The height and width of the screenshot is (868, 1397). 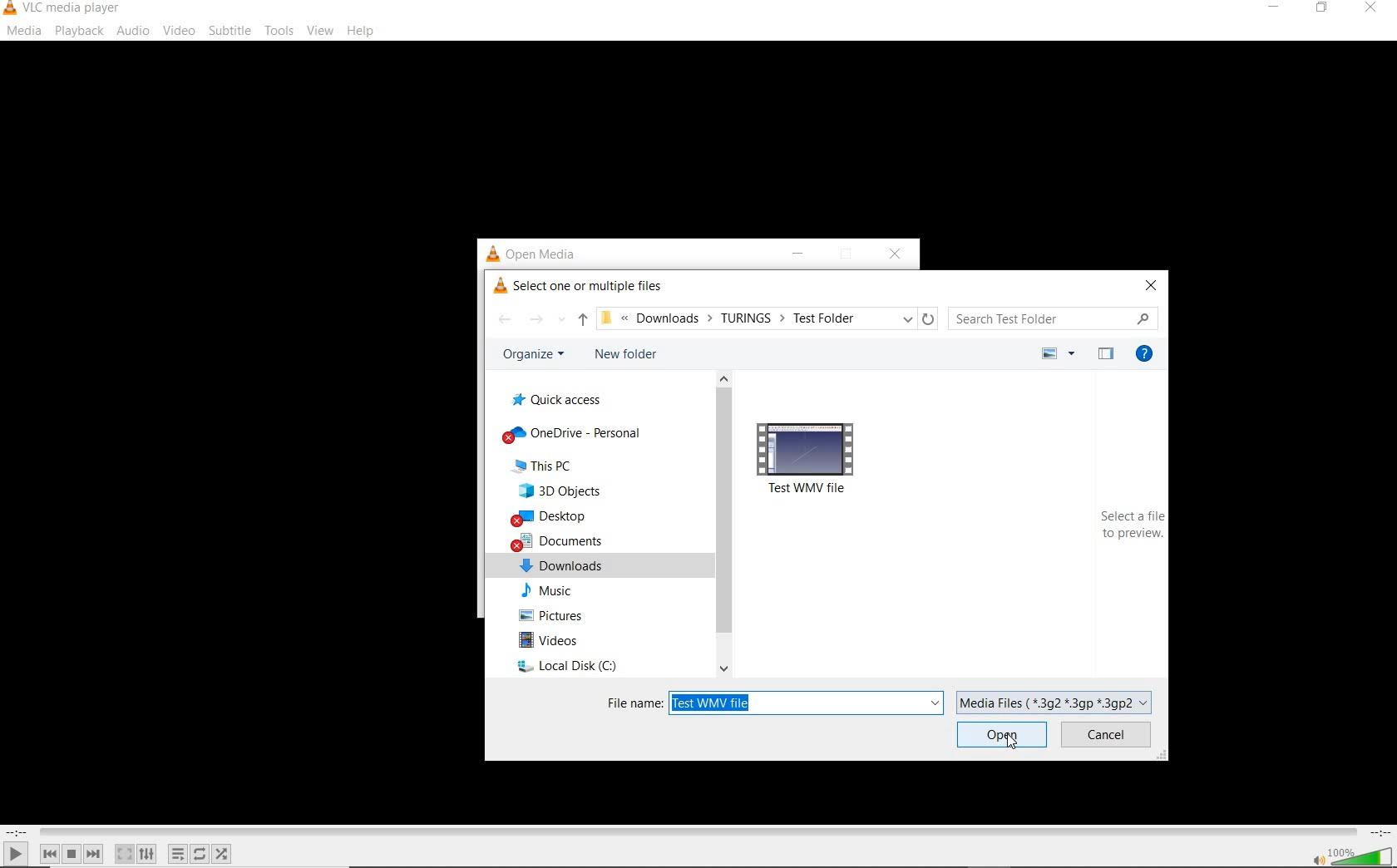 I want to click on scrollbar, so click(x=725, y=525).